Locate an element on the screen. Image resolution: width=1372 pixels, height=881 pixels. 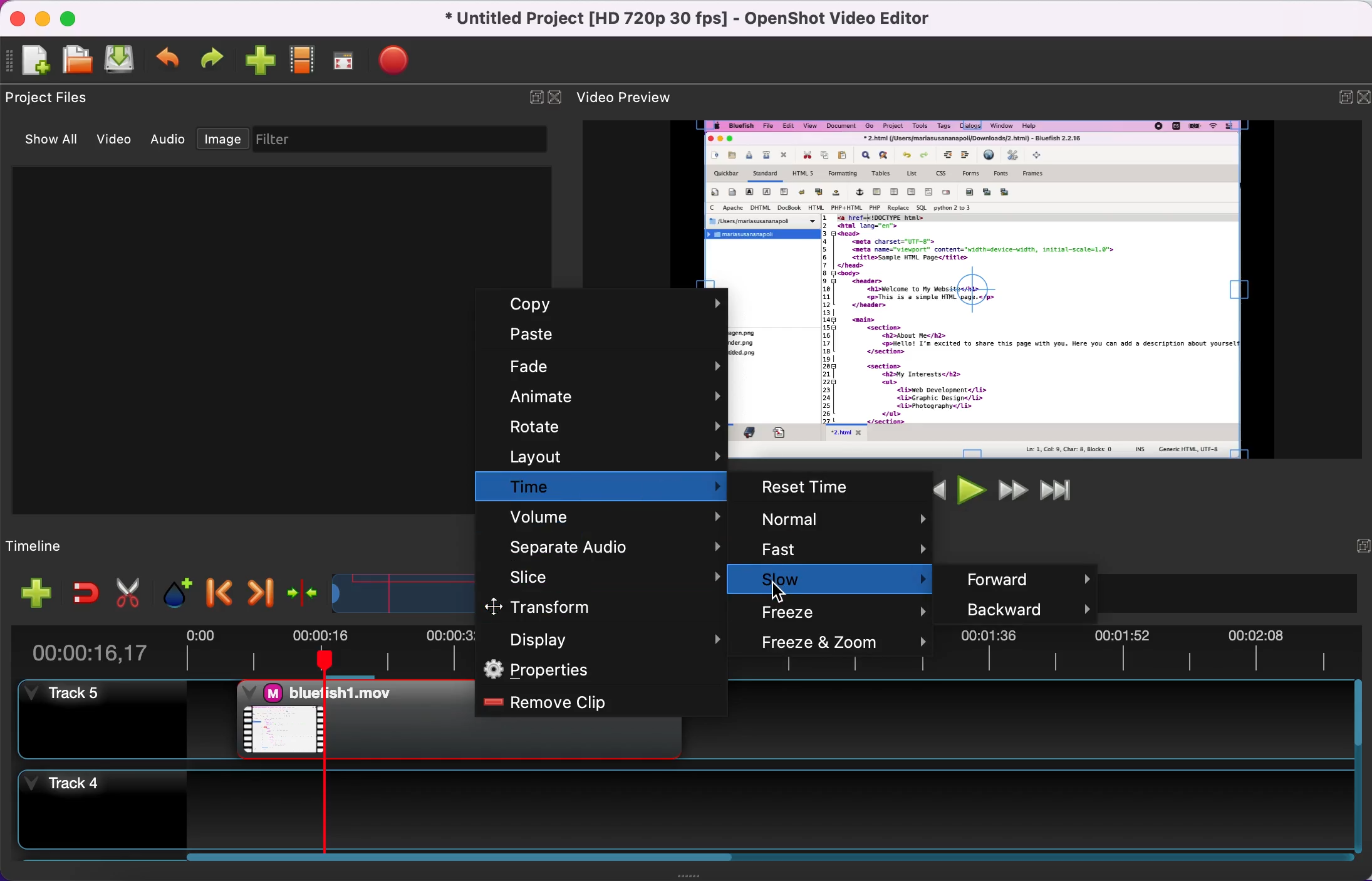
audio is located at coordinates (172, 141).